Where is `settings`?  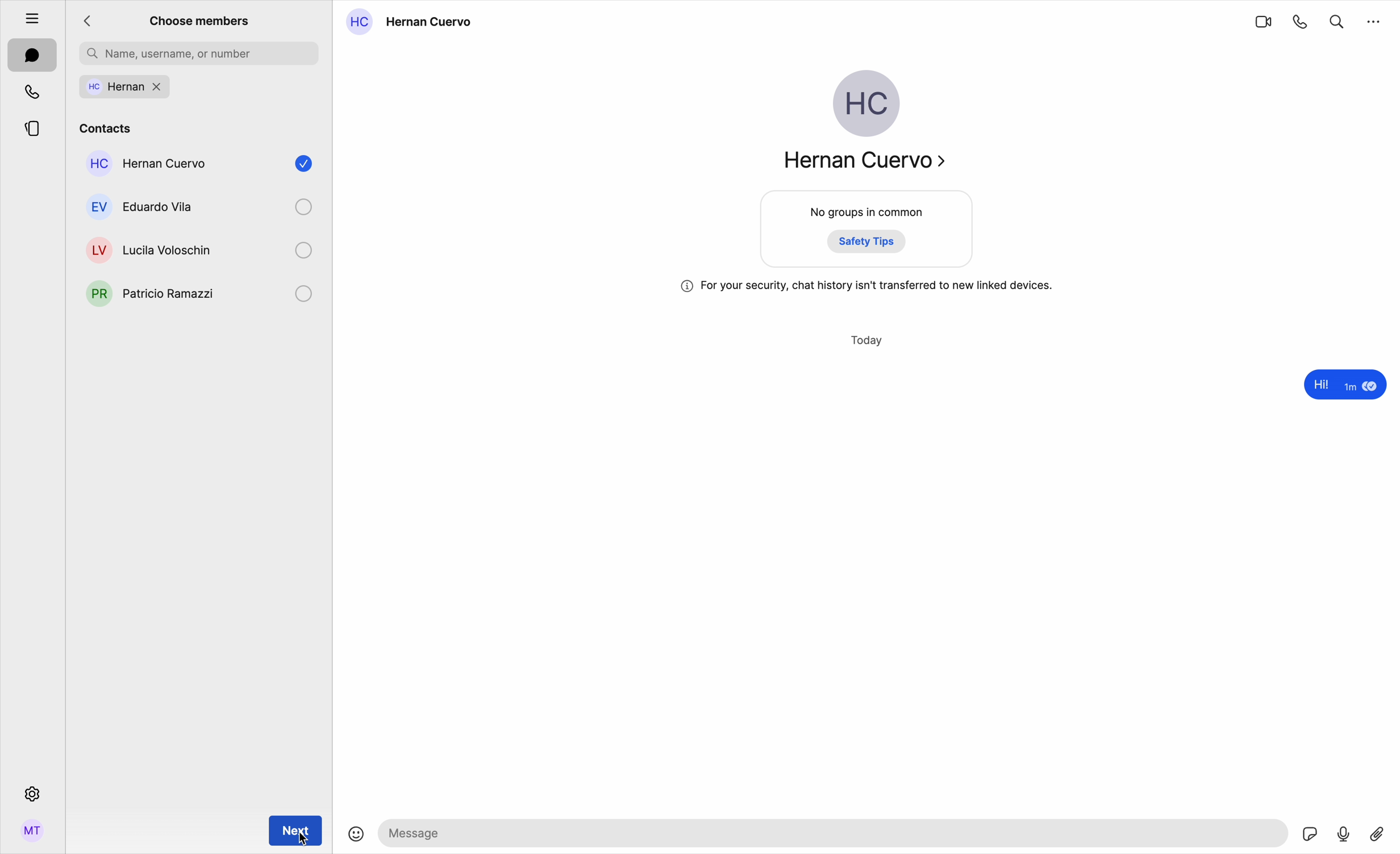
settings is located at coordinates (31, 793).